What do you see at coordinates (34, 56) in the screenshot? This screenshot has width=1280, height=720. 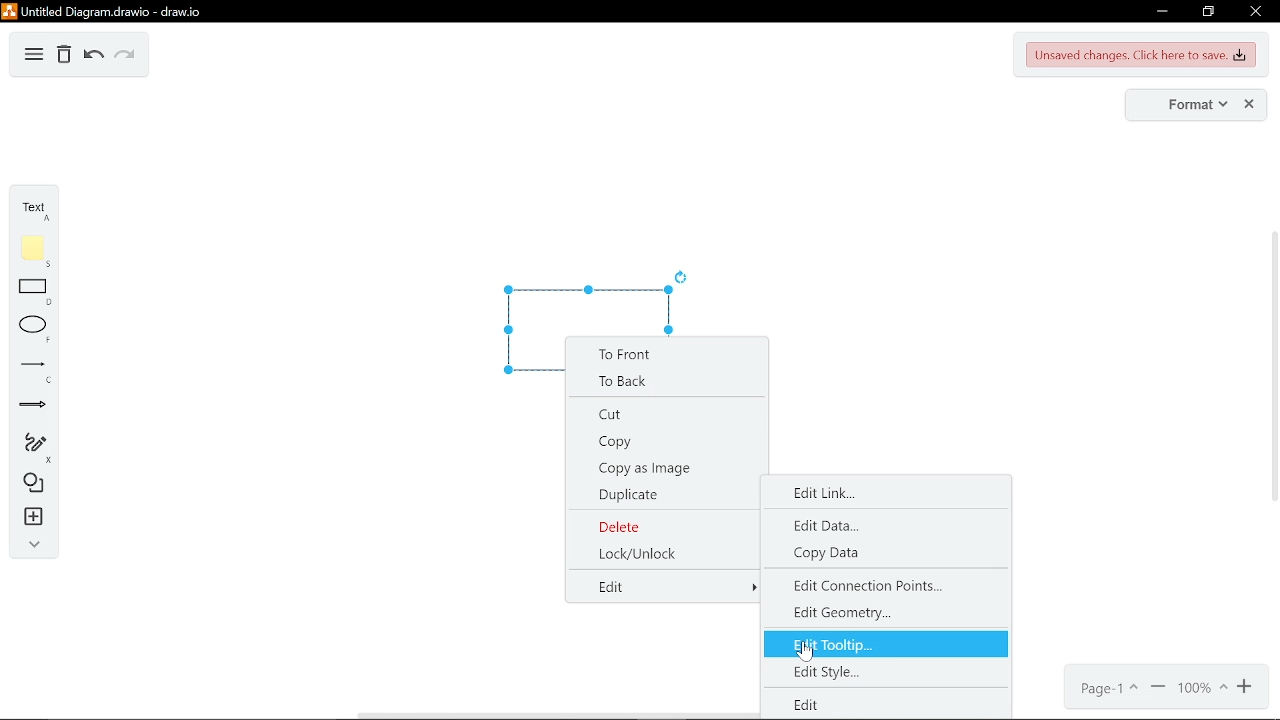 I see `diagram` at bounding box center [34, 56].